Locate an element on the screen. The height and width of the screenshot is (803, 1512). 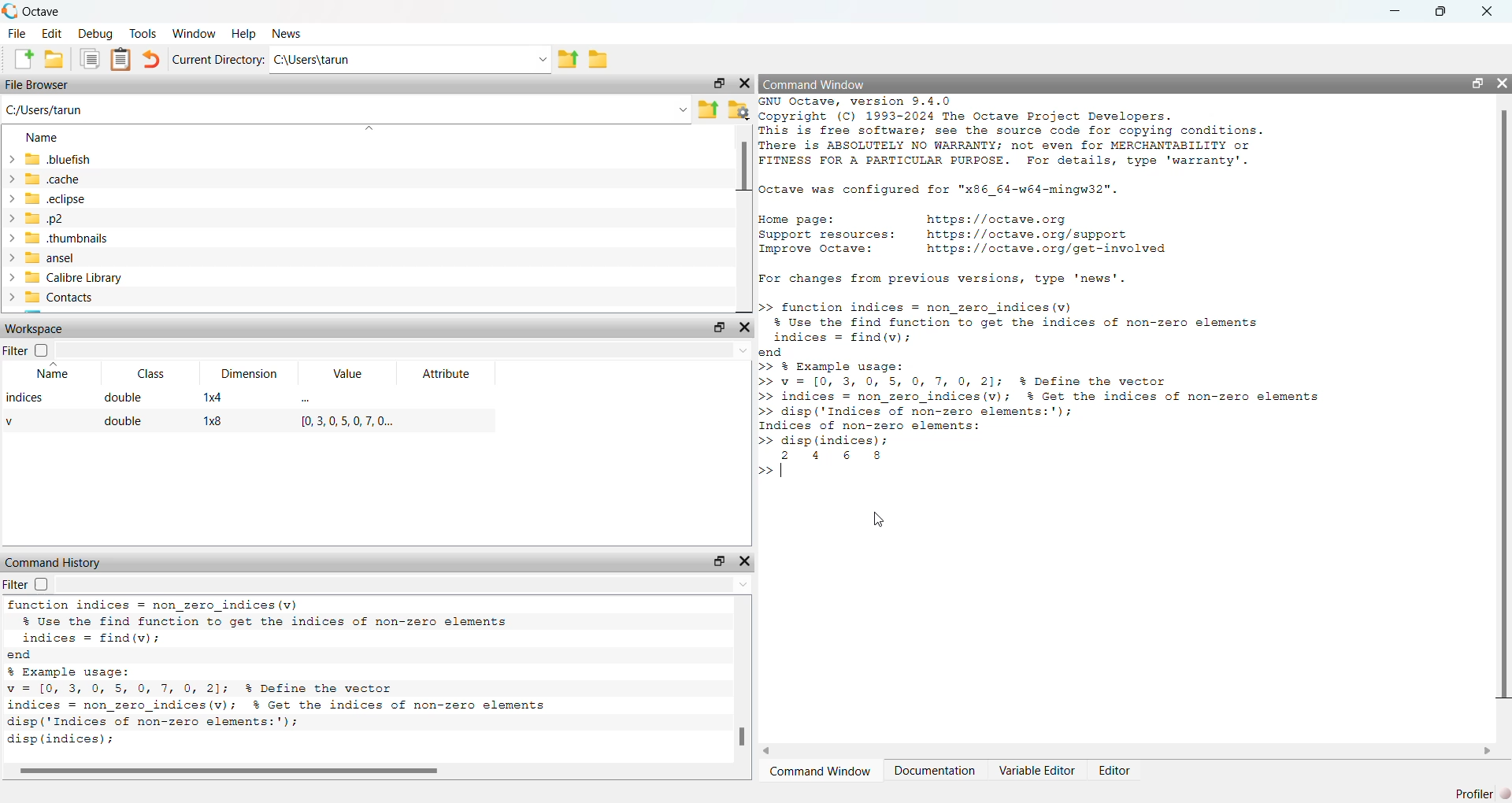
Filter is located at coordinates (16, 585).